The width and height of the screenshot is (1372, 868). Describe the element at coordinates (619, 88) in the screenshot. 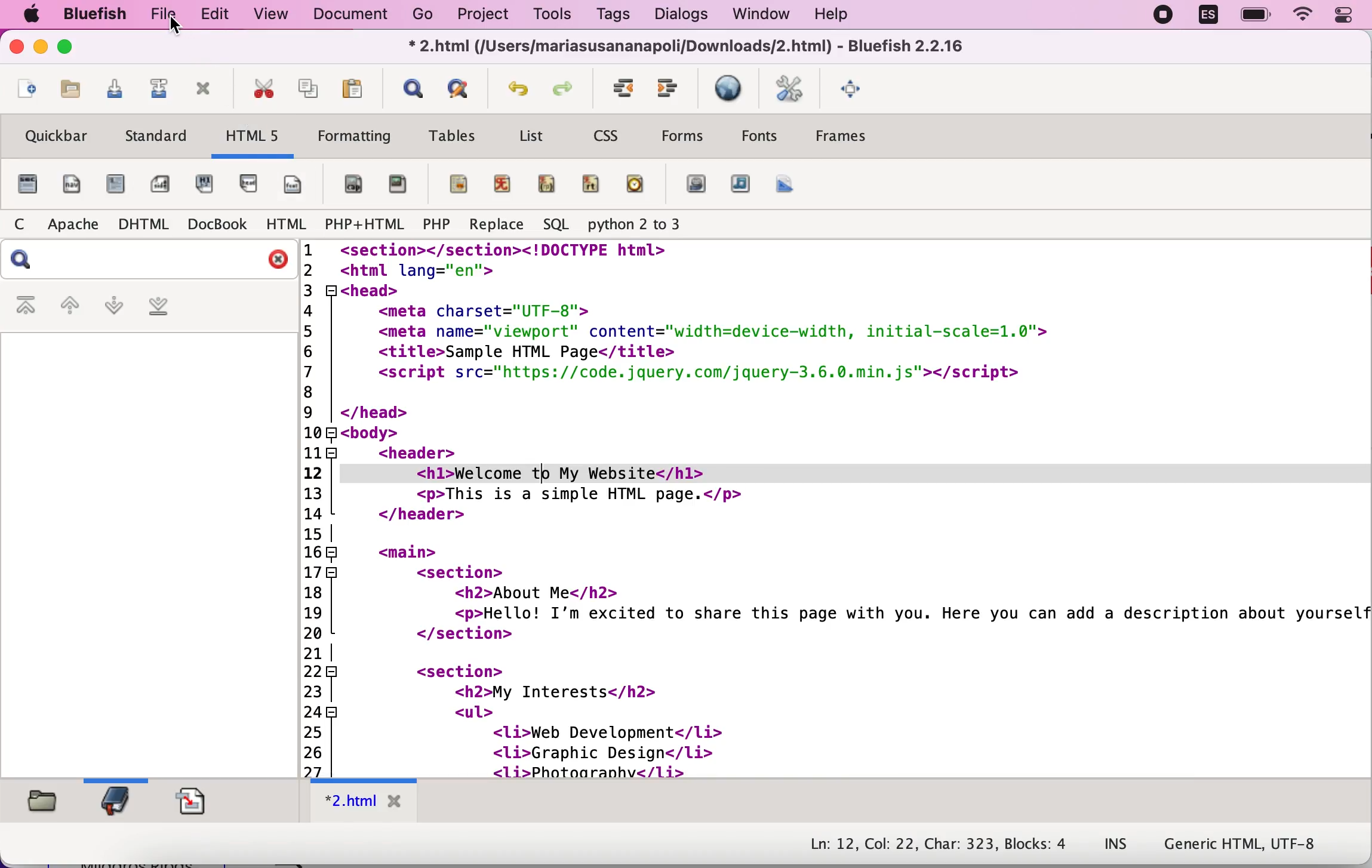

I see `indent` at that location.